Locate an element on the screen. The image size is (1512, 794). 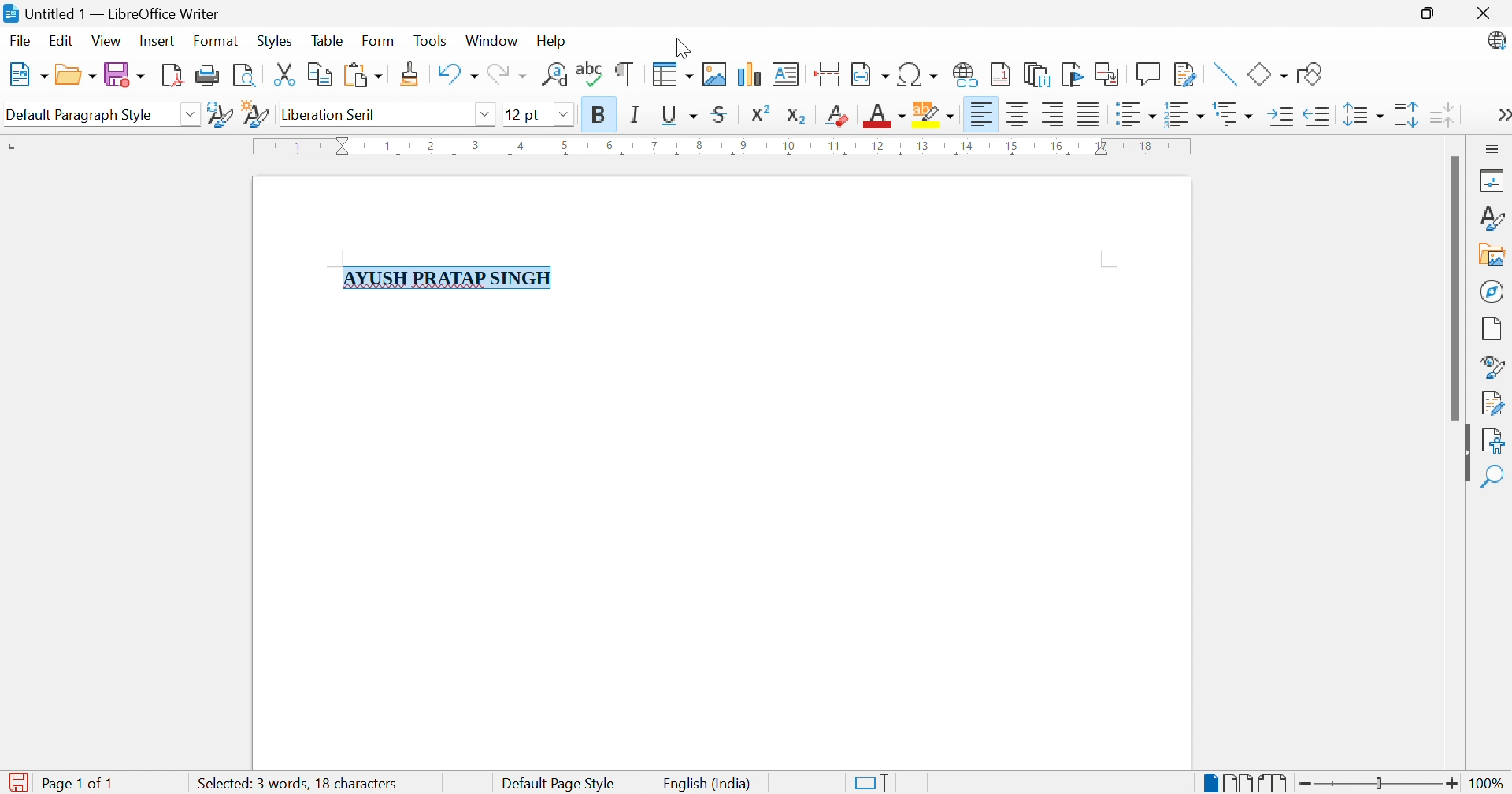
Insert Bookmark is located at coordinates (1070, 74).